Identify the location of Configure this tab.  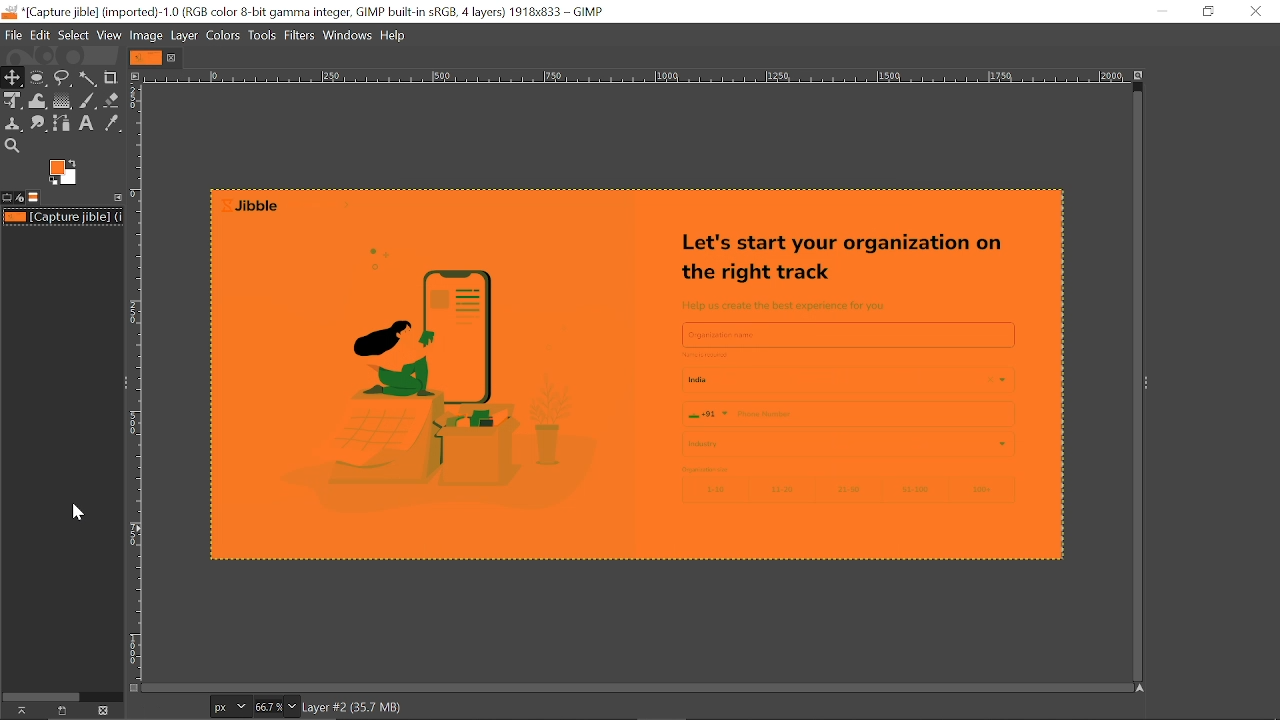
(115, 197).